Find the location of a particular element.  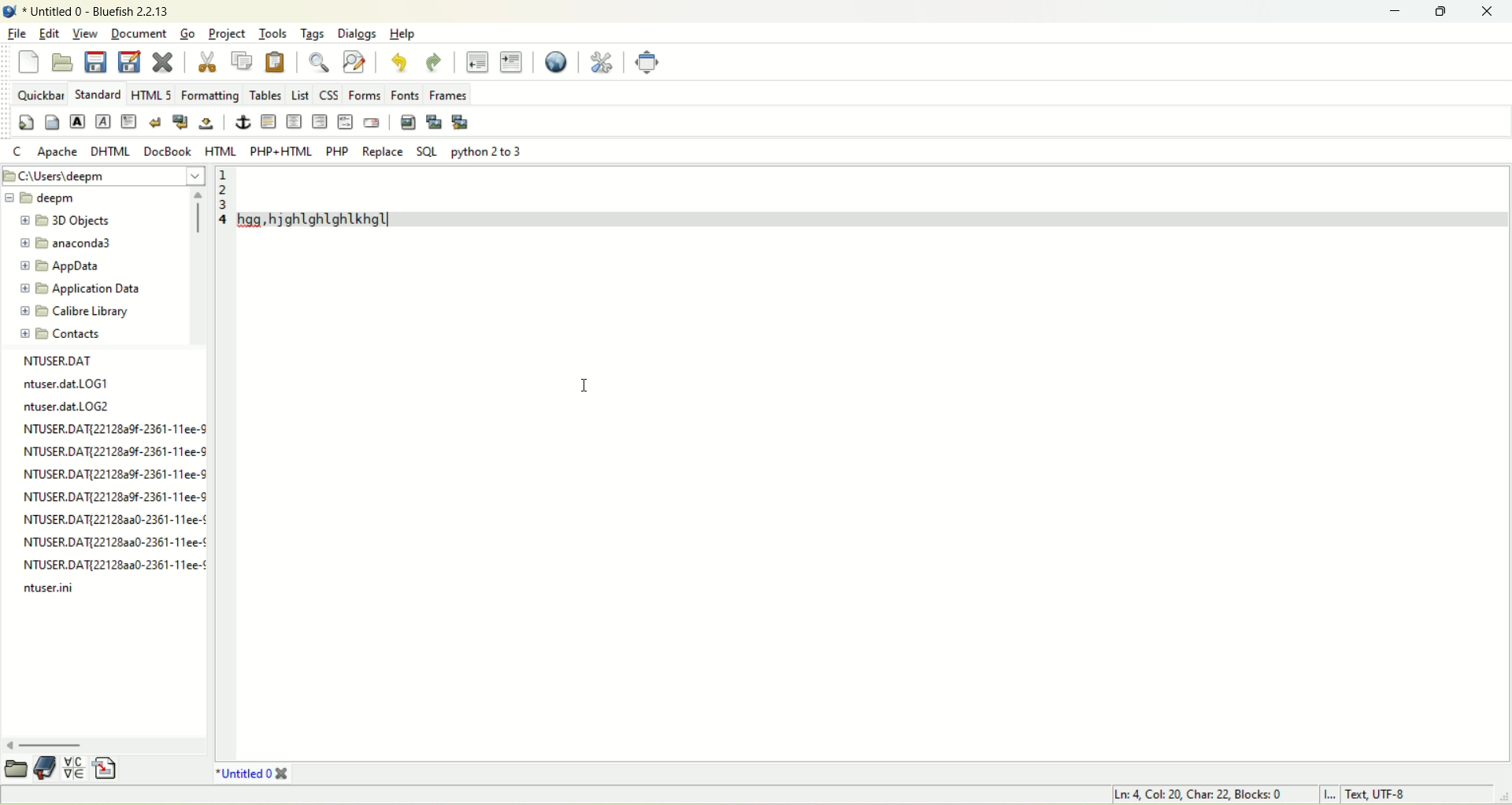

list is located at coordinates (300, 96).